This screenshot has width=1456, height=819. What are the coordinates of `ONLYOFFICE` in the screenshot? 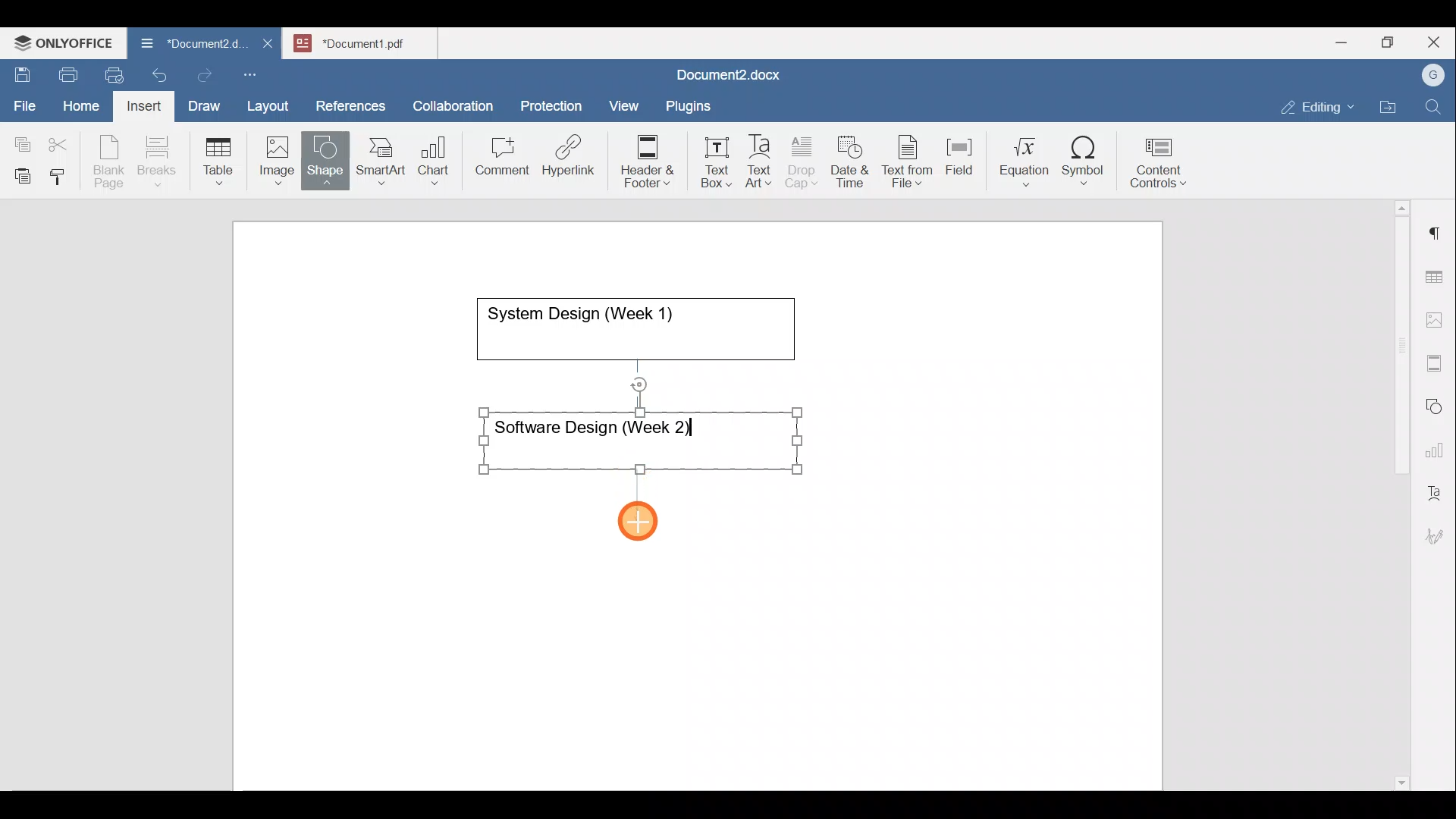 It's located at (64, 42).